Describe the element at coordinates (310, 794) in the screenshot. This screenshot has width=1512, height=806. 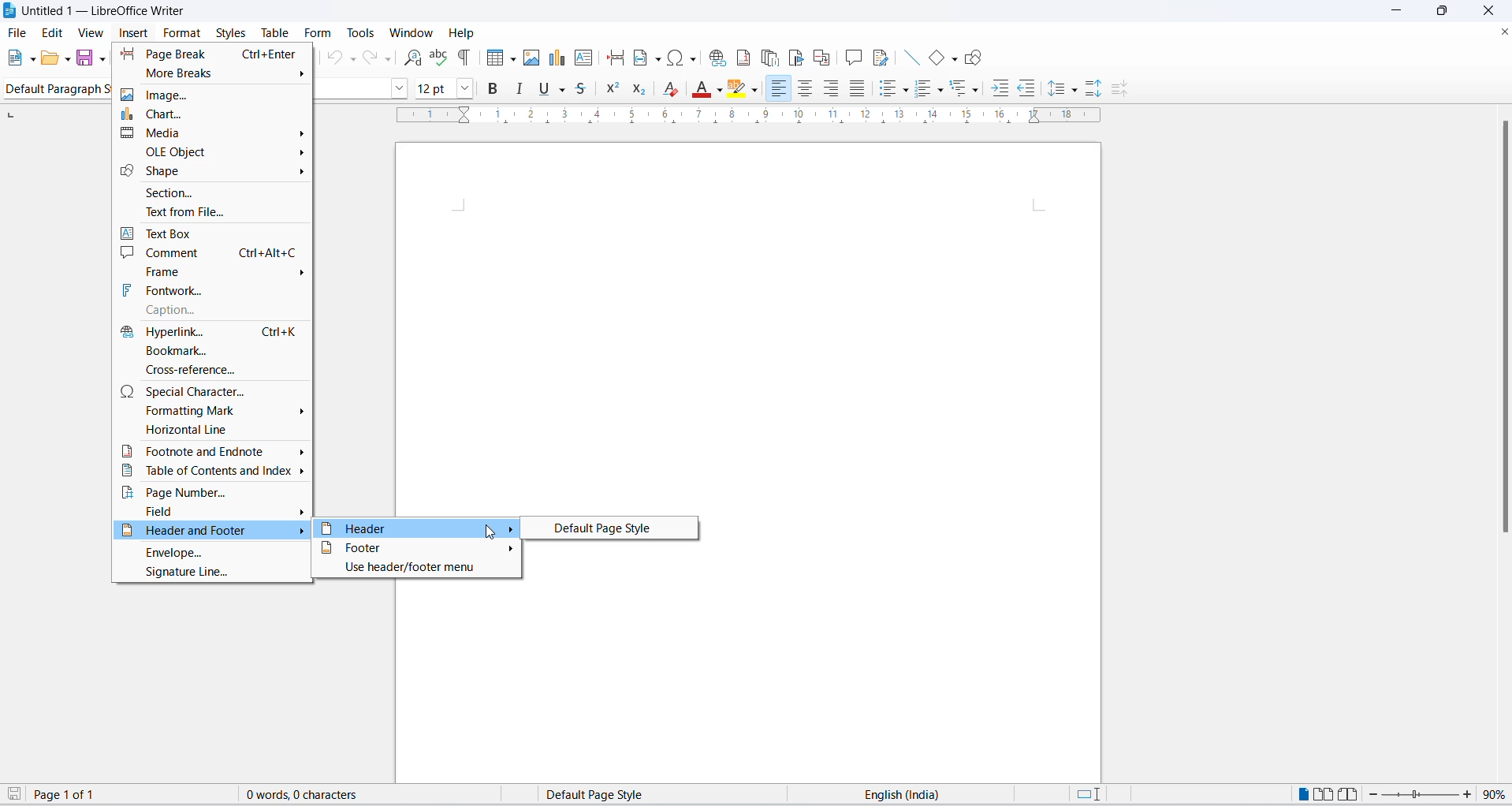
I see `word and character count` at that location.